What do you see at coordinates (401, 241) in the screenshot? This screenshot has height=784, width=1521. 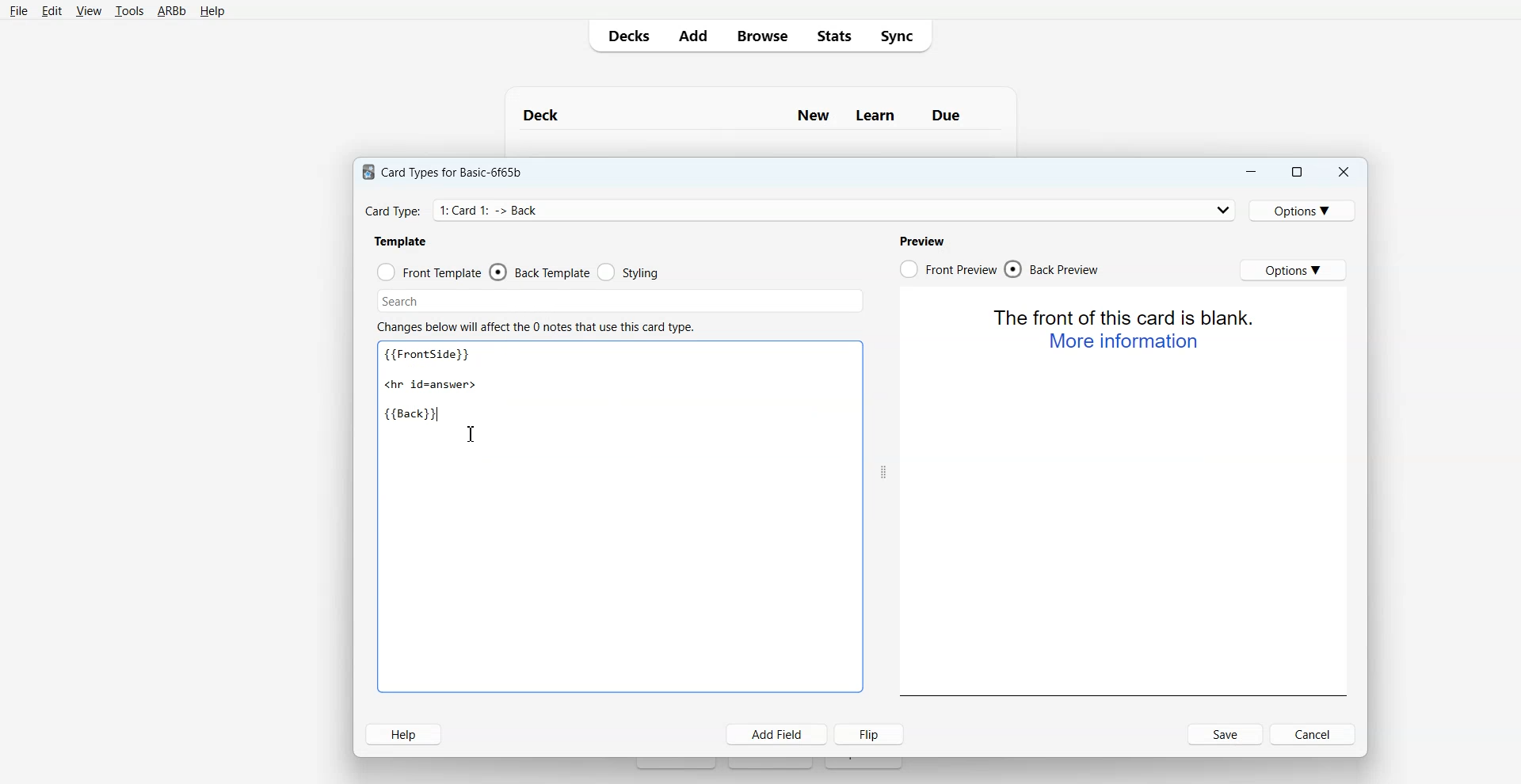 I see `Text 2` at bounding box center [401, 241].